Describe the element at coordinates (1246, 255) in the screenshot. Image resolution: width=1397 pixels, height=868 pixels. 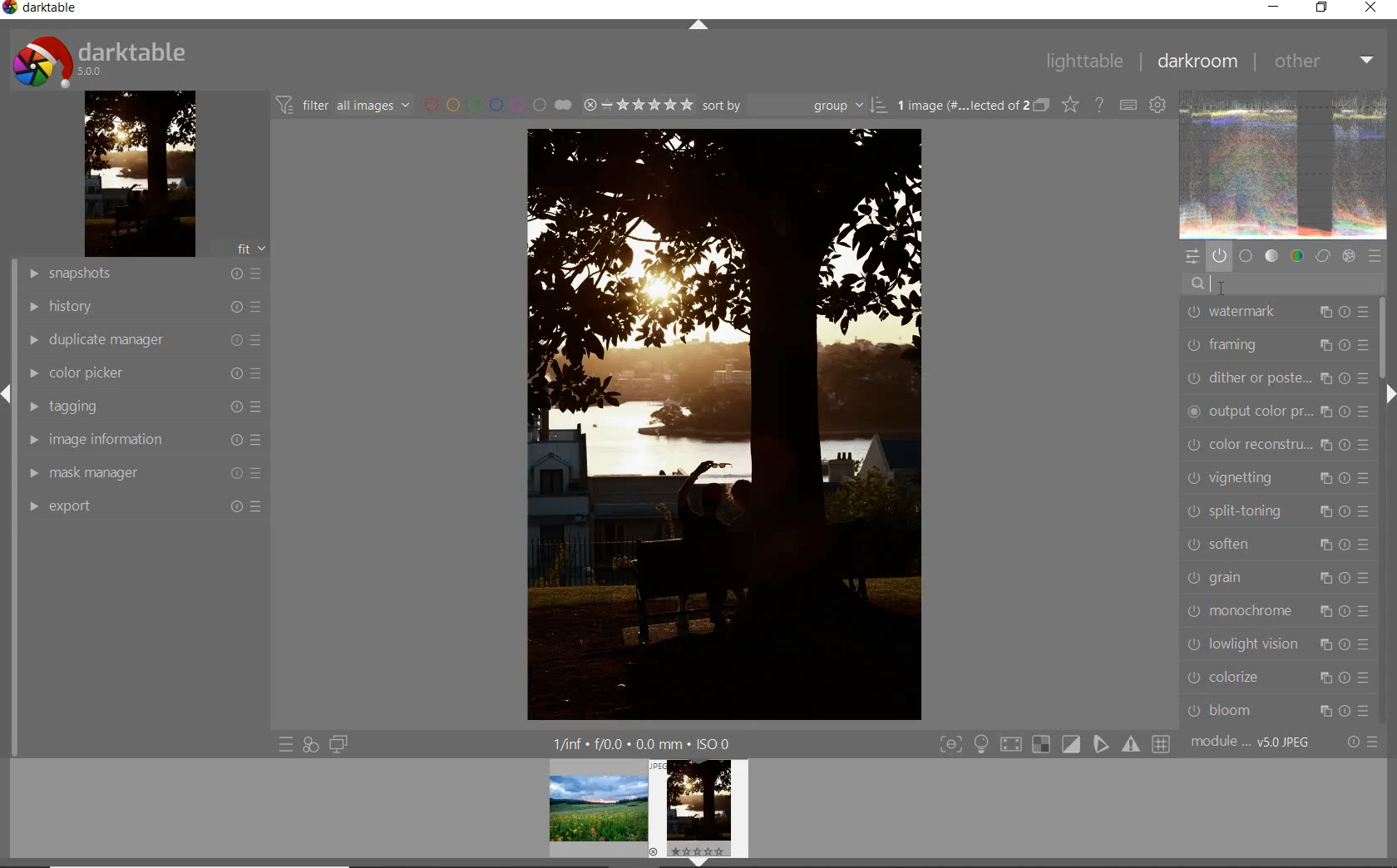
I see `base` at that location.